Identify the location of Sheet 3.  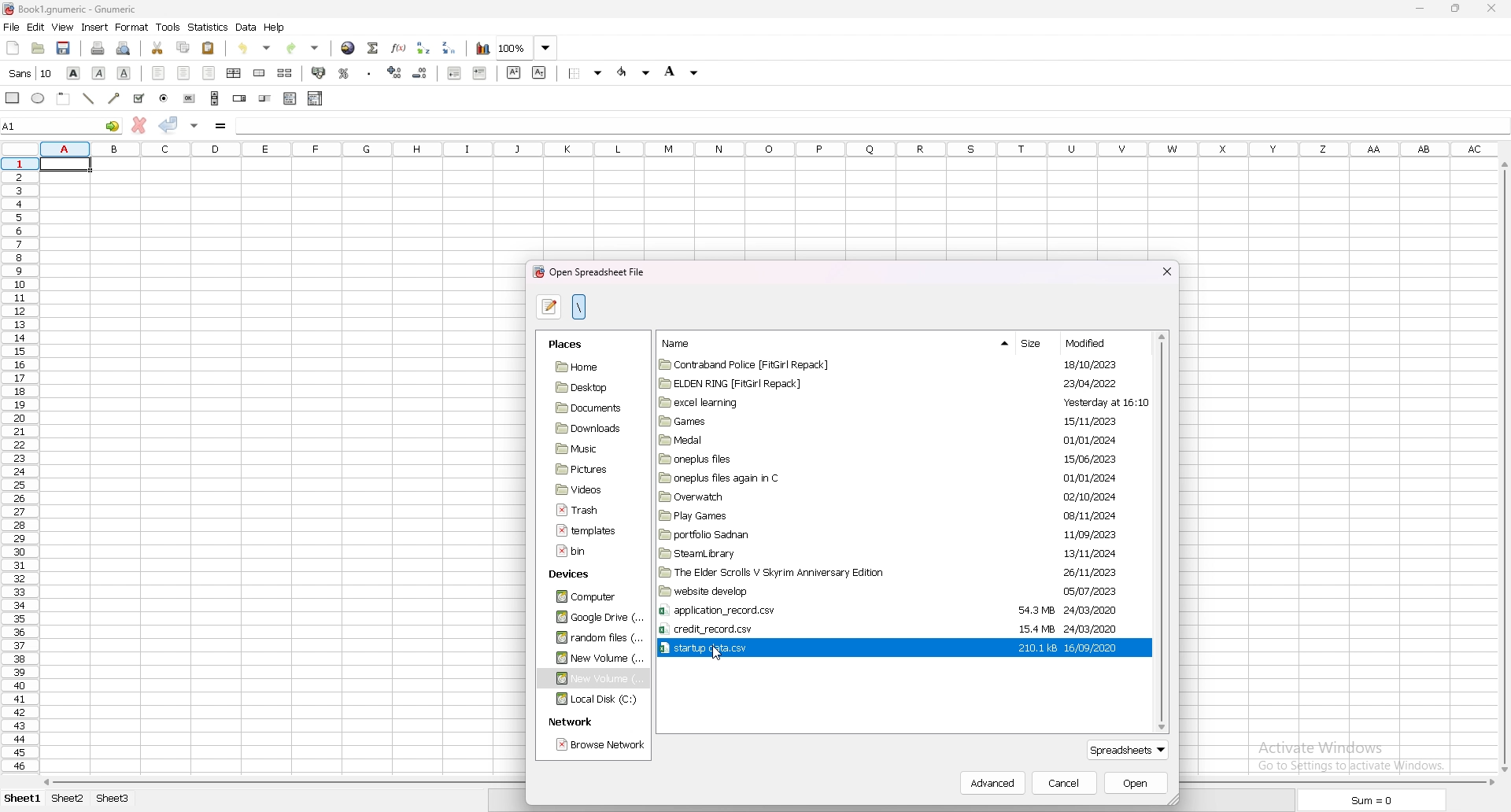
(113, 799).